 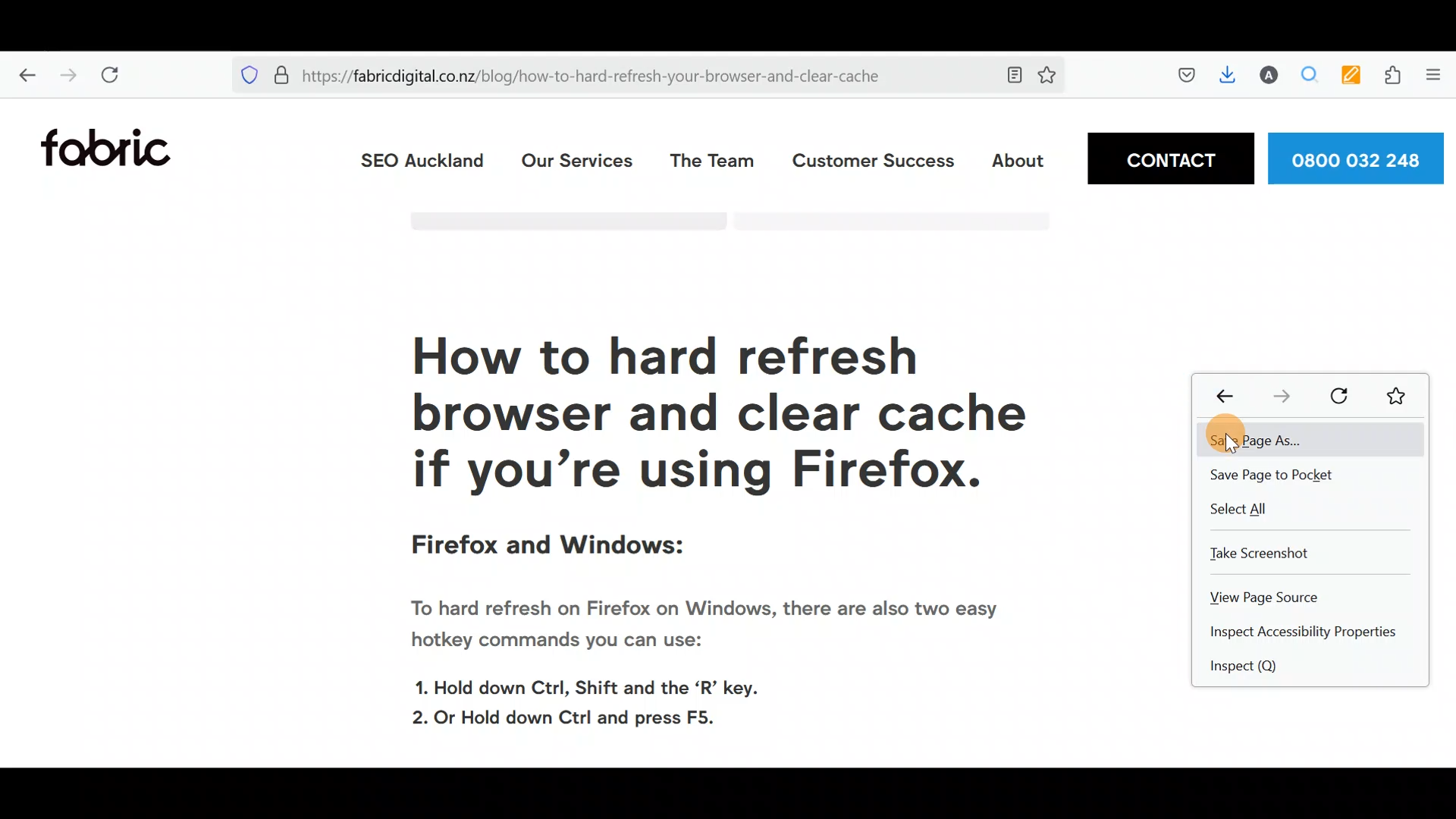 I want to click on Downloads, so click(x=1232, y=76).